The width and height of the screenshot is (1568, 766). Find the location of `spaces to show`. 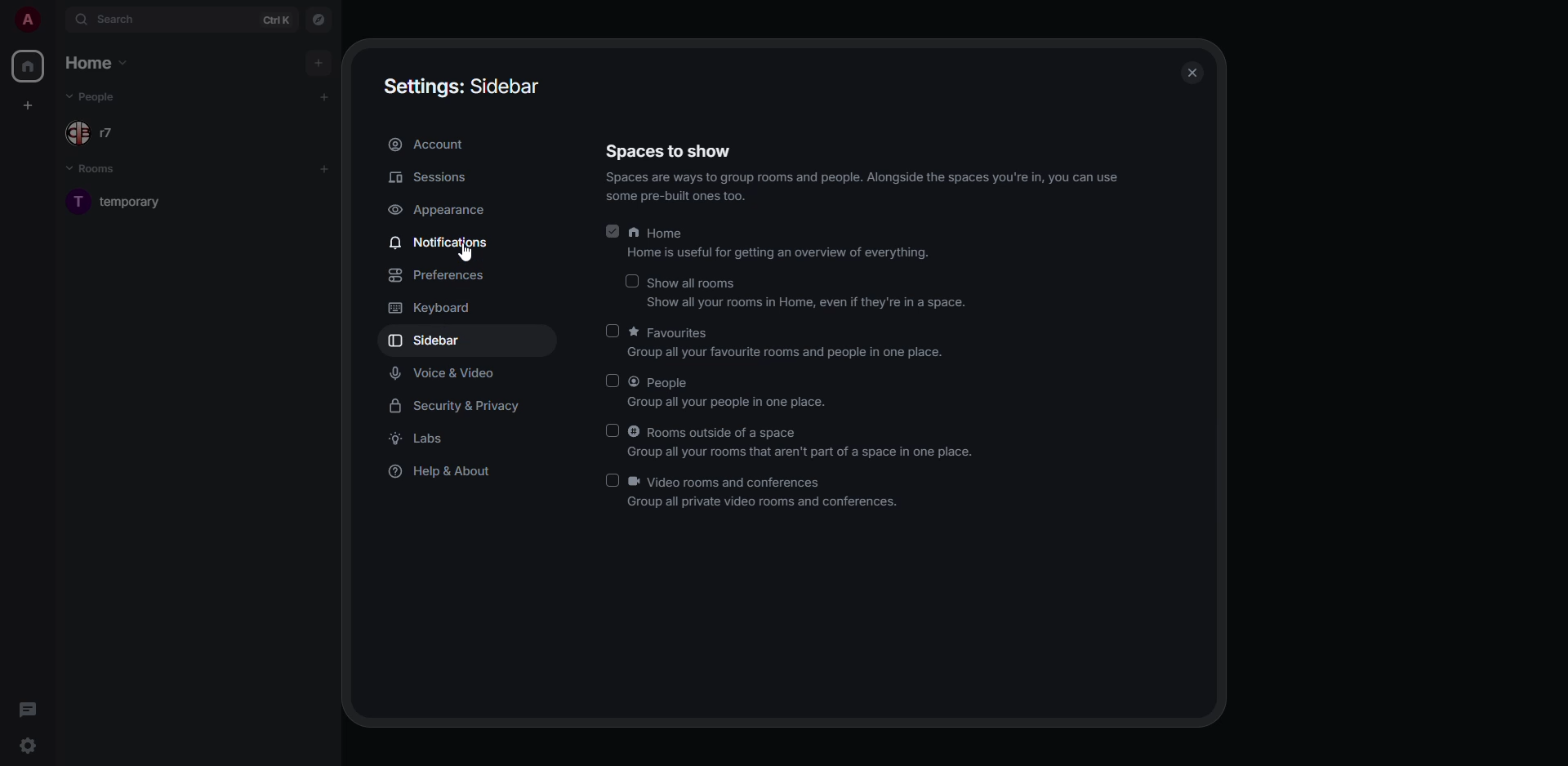

spaces to show is located at coordinates (671, 150).